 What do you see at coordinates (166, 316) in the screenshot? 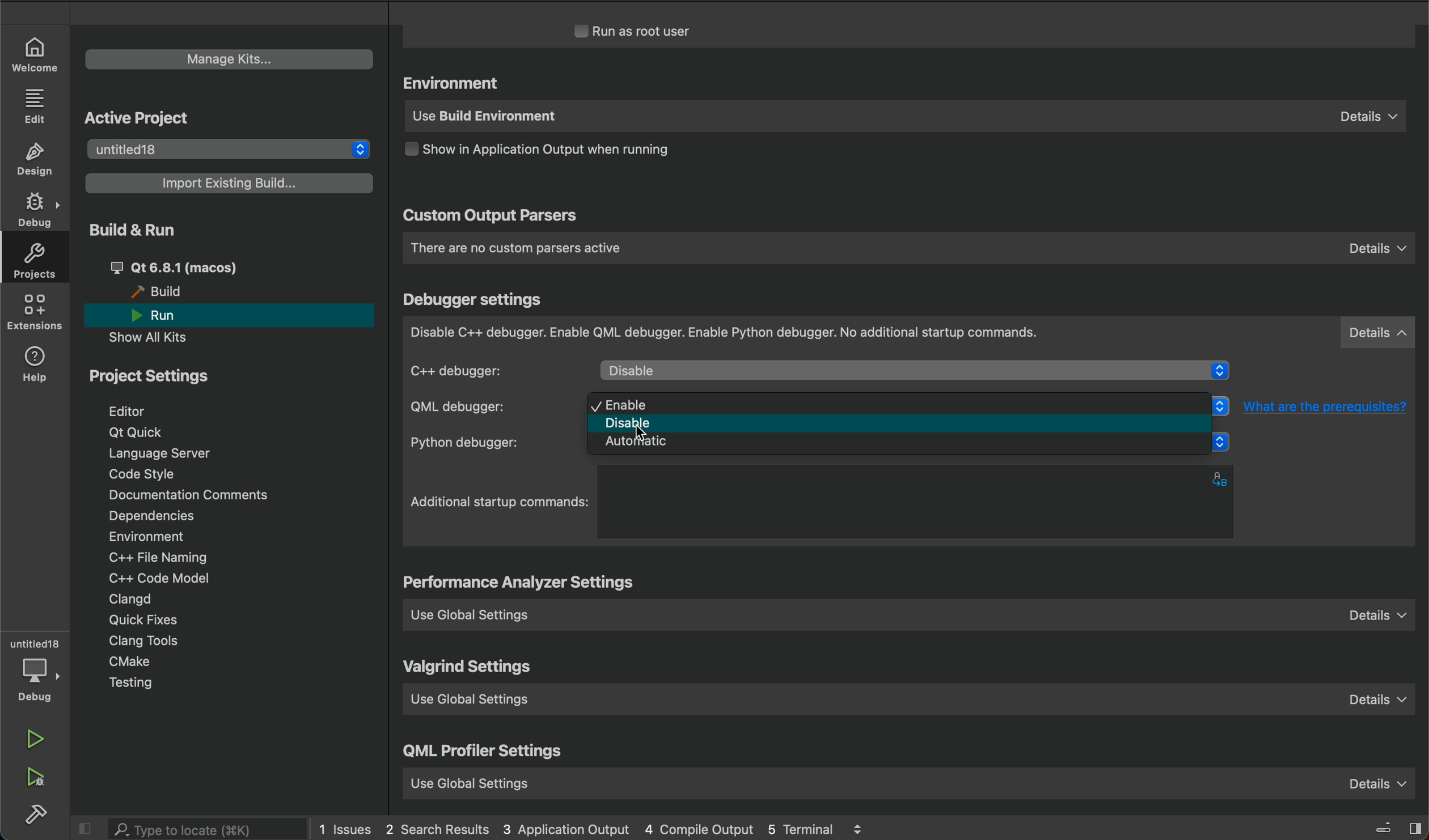
I see `run` at bounding box center [166, 316].